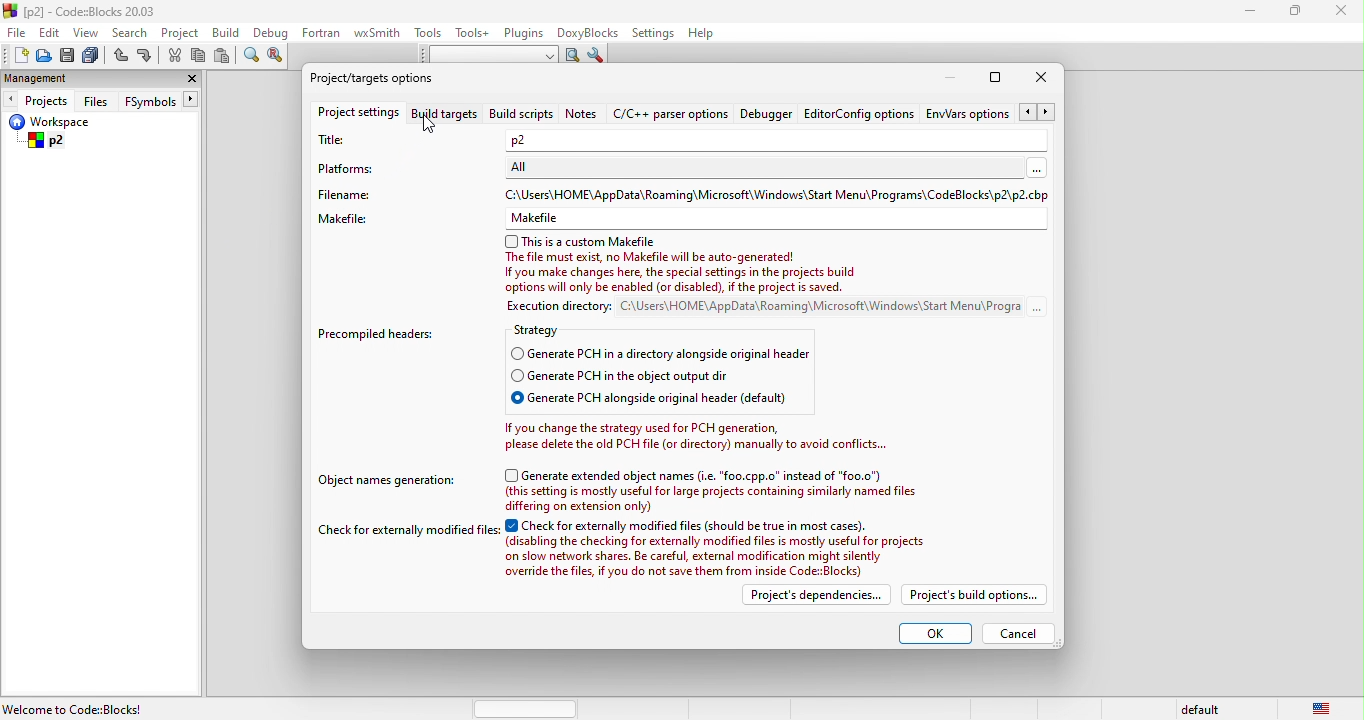 This screenshot has width=1364, height=720. What do you see at coordinates (671, 113) in the screenshot?
I see `c\c++parser option` at bounding box center [671, 113].